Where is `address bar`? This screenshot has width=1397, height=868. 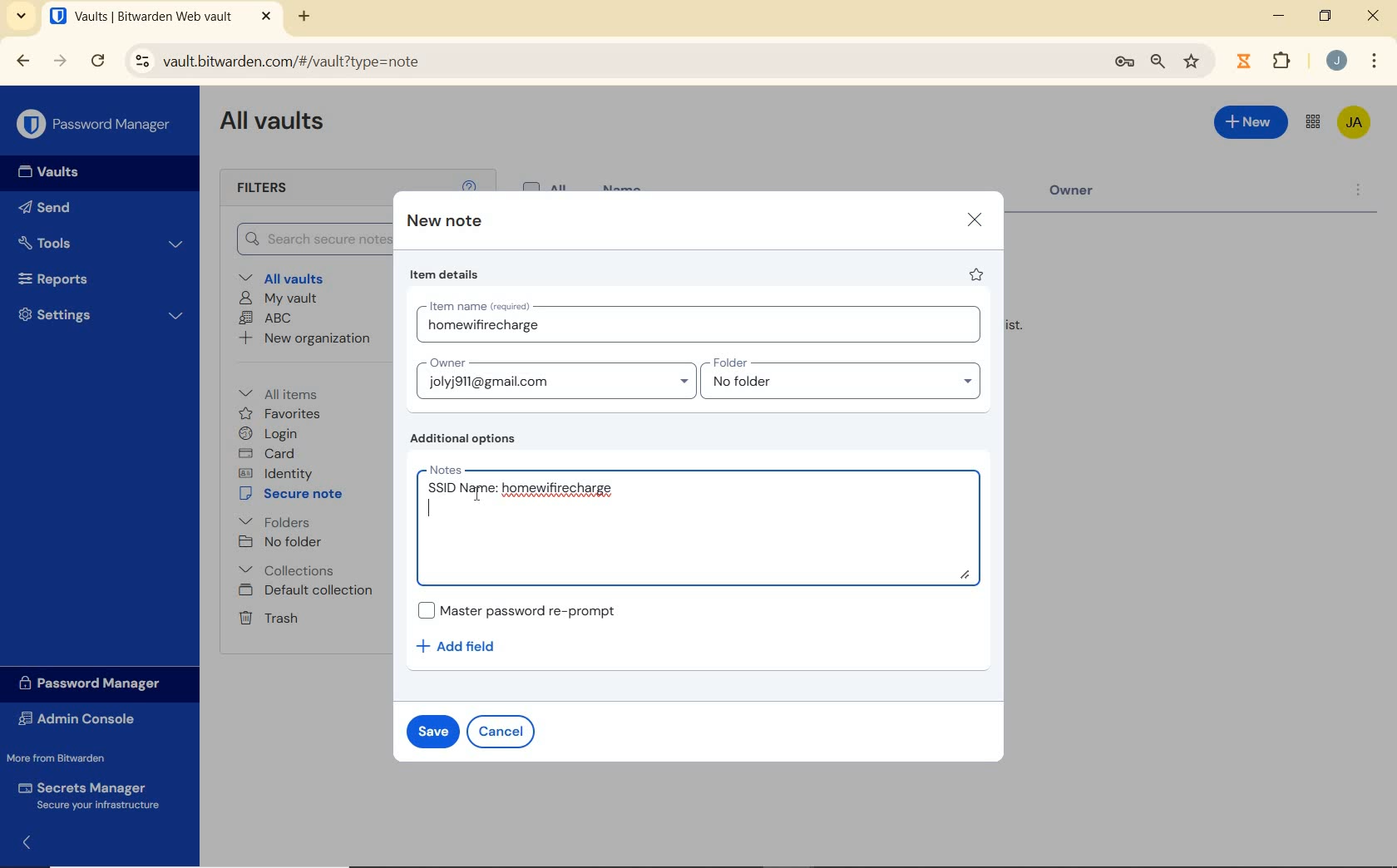
address bar is located at coordinates (607, 62).